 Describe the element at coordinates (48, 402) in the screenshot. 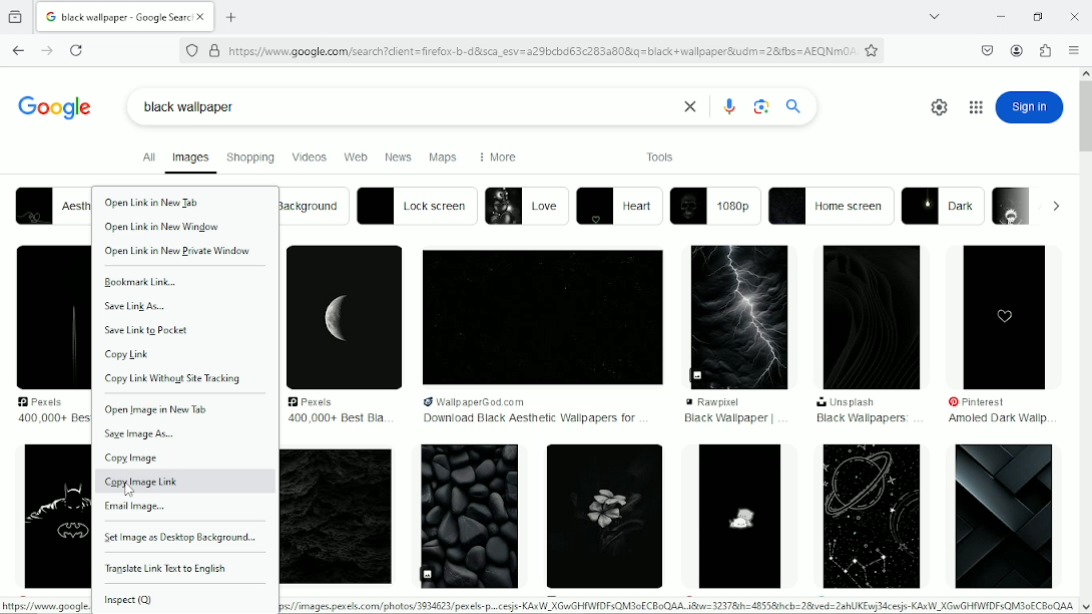

I see `pexels` at that location.